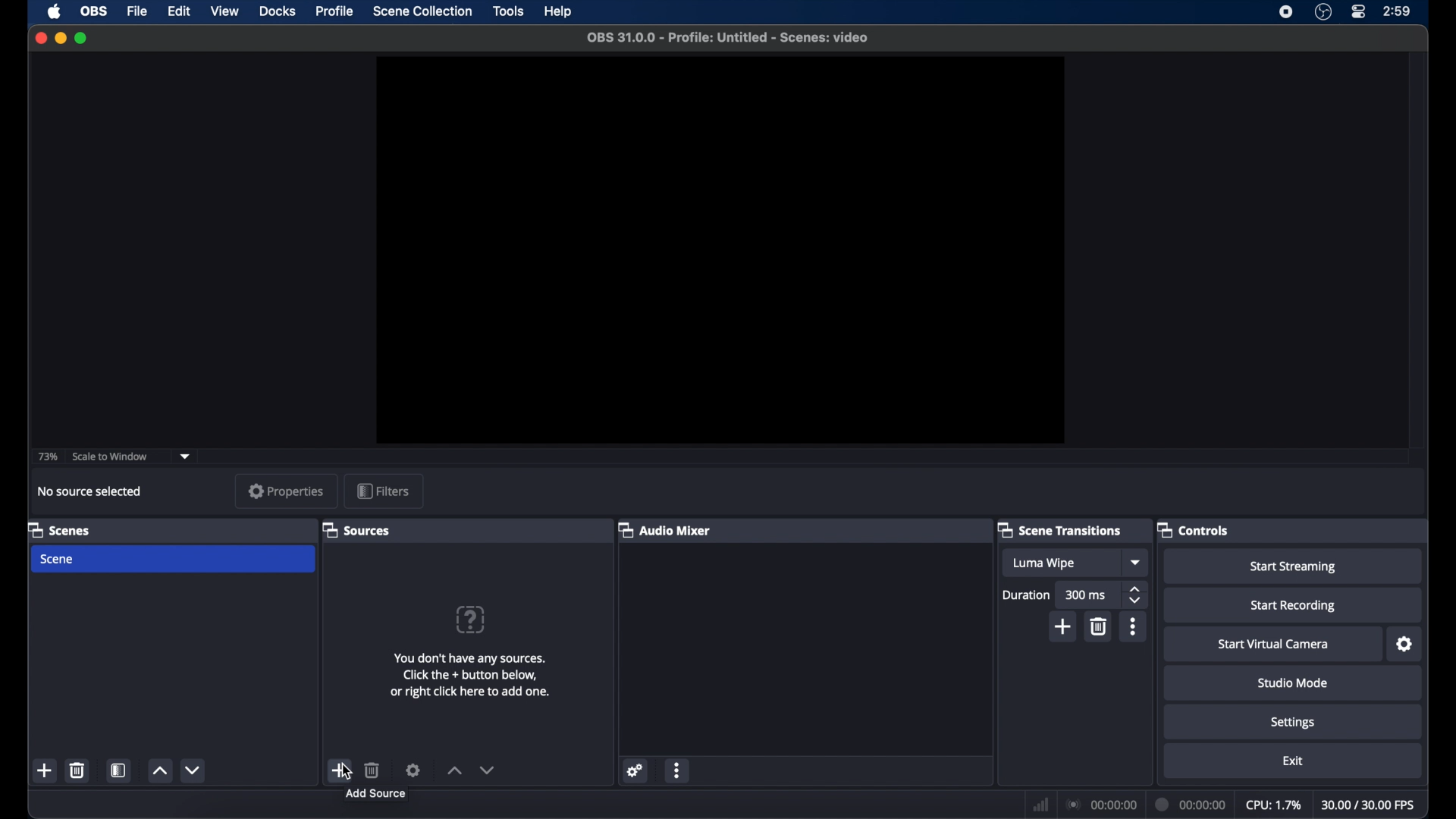 Image resolution: width=1456 pixels, height=819 pixels. What do you see at coordinates (81, 38) in the screenshot?
I see `maximize` at bounding box center [81, 38].